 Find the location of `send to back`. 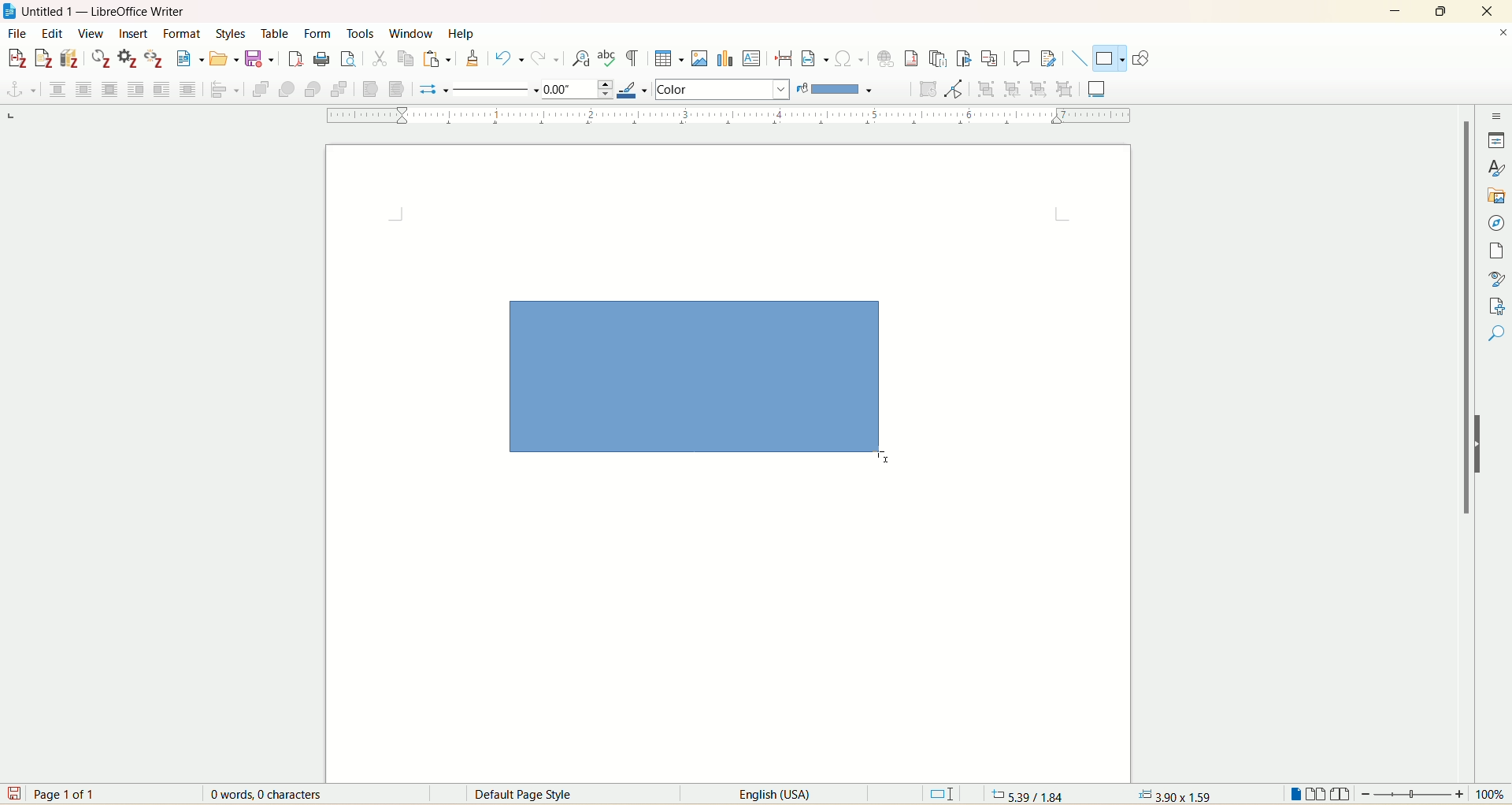

send to back is located at coordinates (338, 91).